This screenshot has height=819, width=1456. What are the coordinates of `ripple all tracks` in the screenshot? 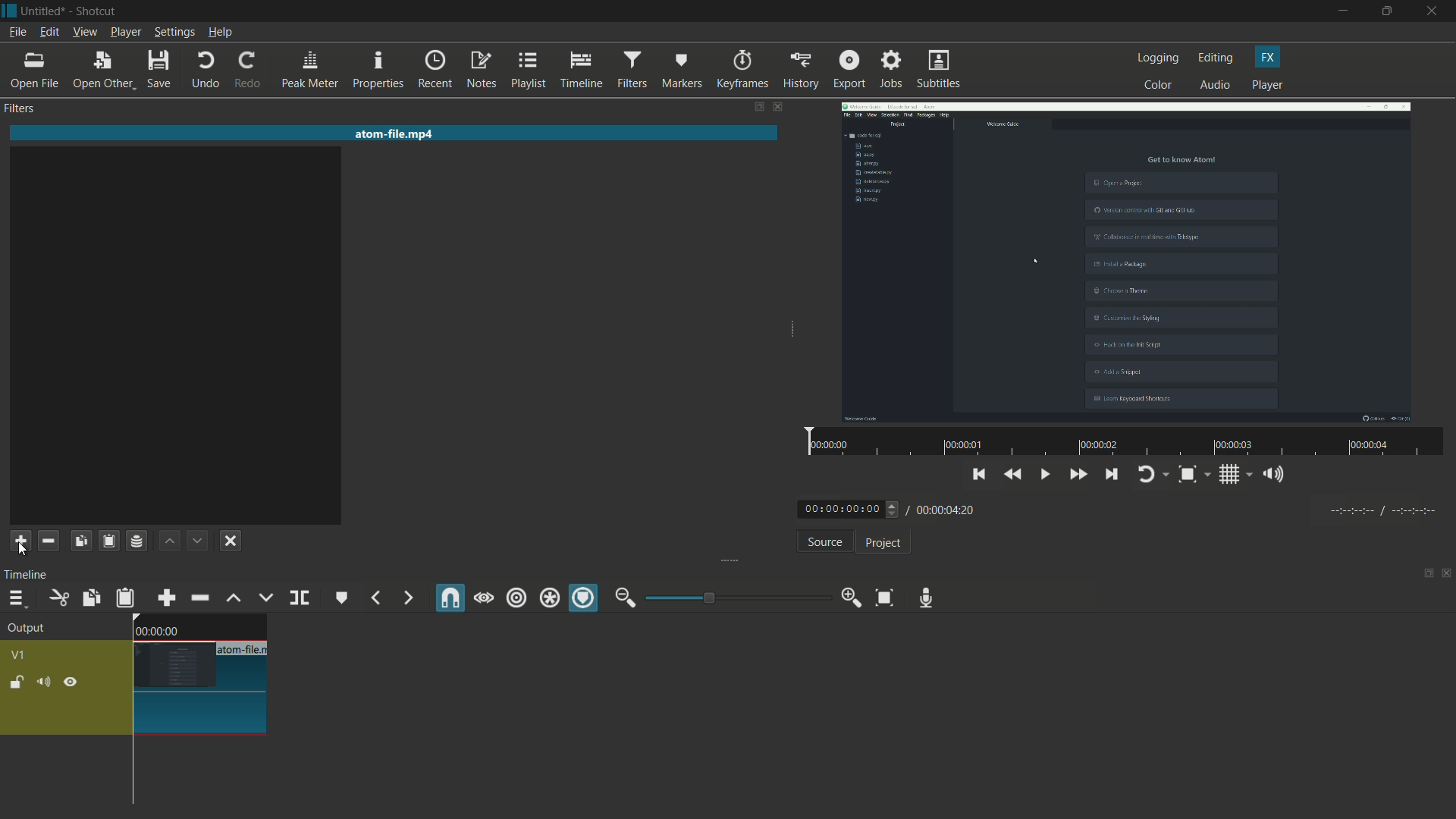 It's located at (548, 600).